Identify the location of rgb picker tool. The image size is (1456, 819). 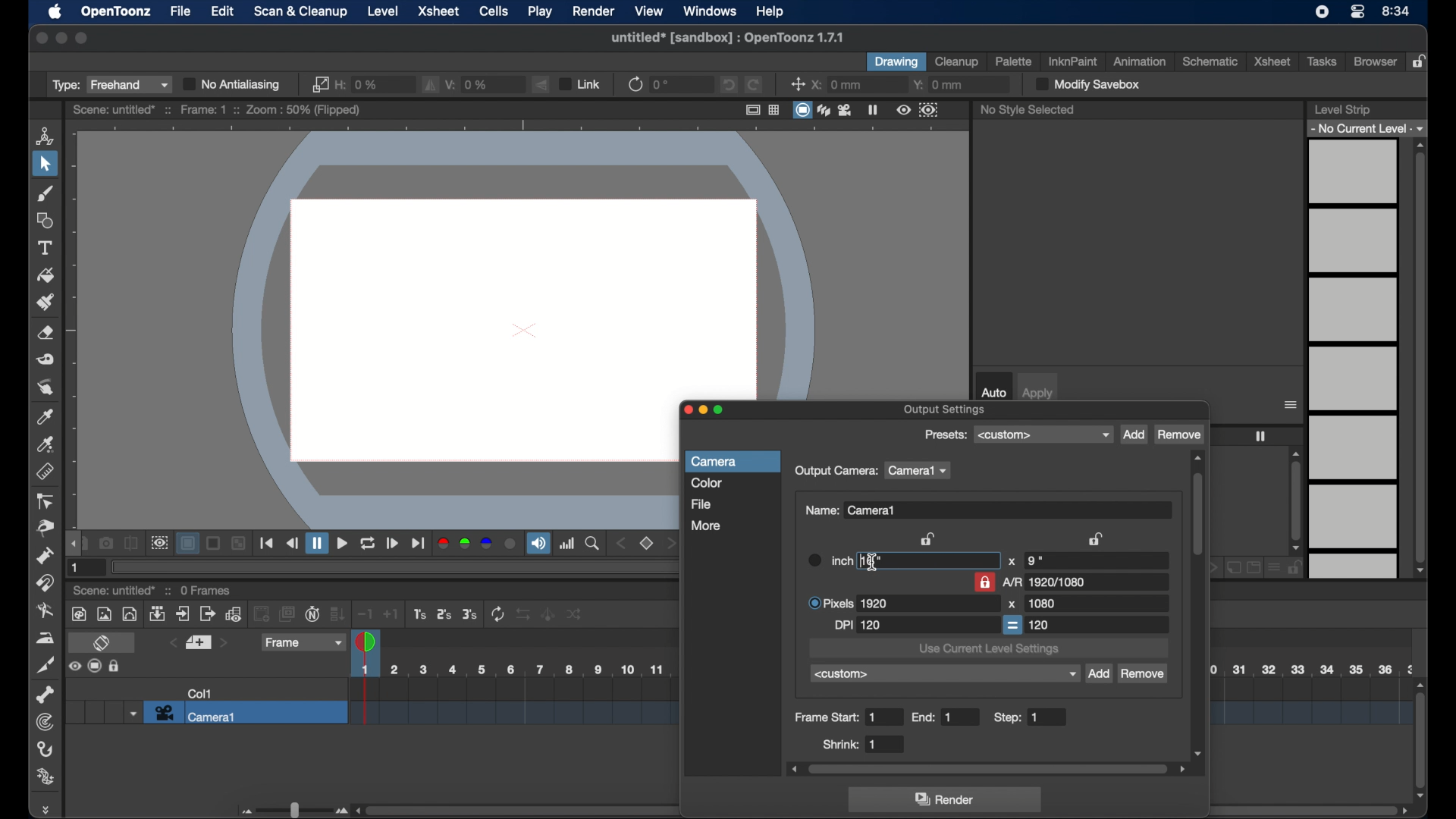
(46, 444).